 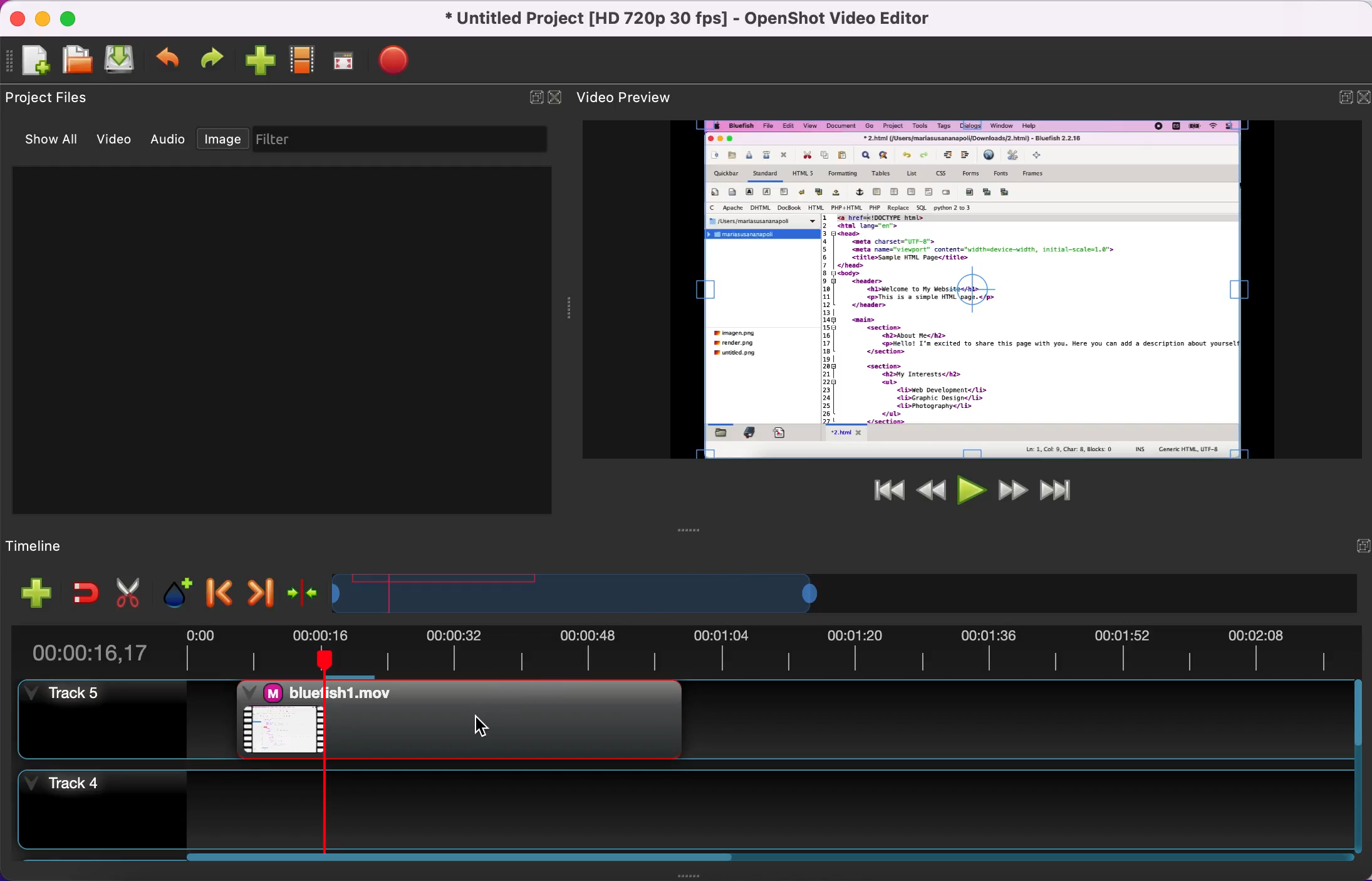 I want to click on video preview, so click(x=637, y=95).